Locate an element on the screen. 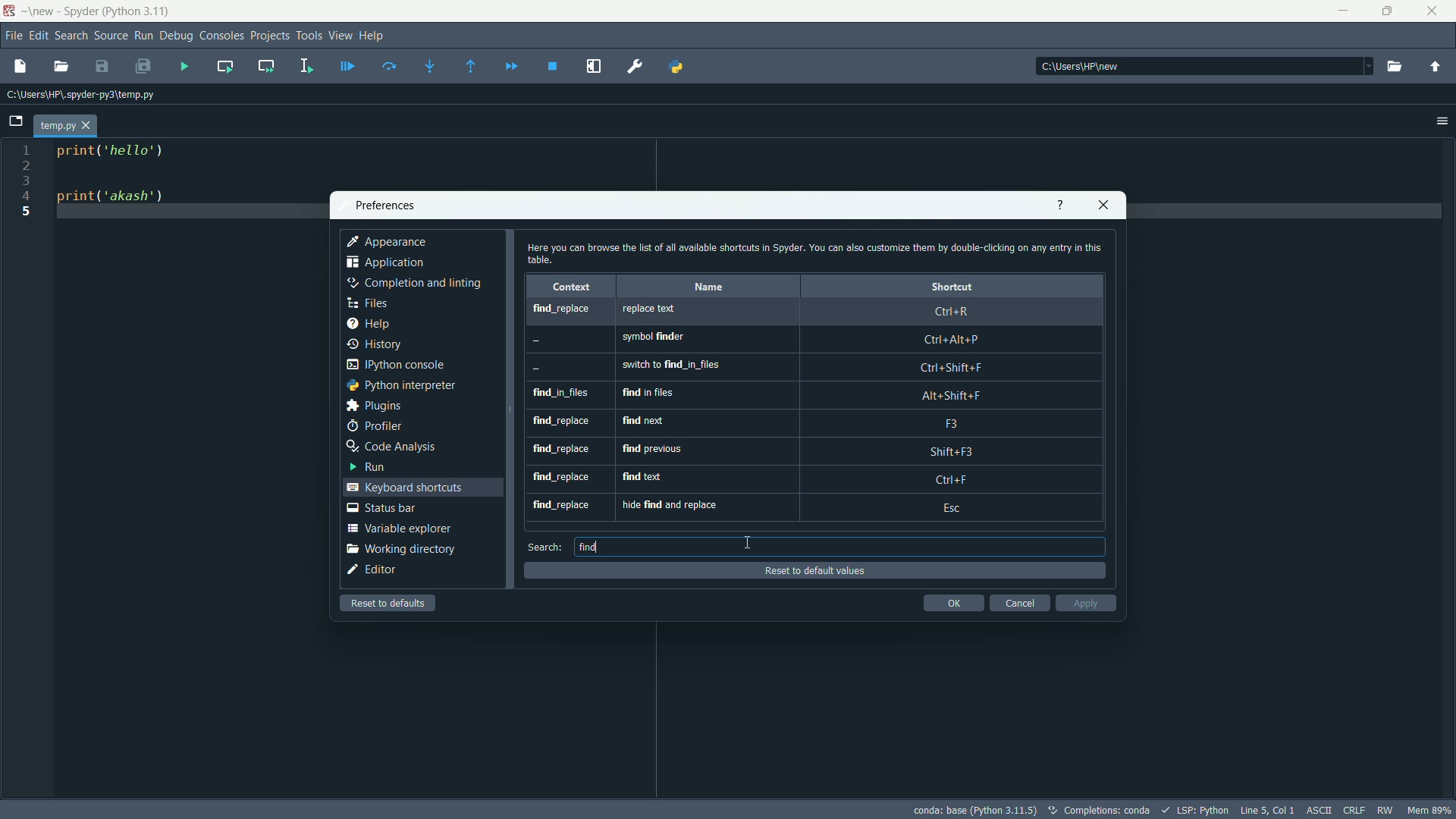 This screenshot has width=1456, height=819. find_in_files, find in files, alt+shift+f is located at coordinates (802, 395).